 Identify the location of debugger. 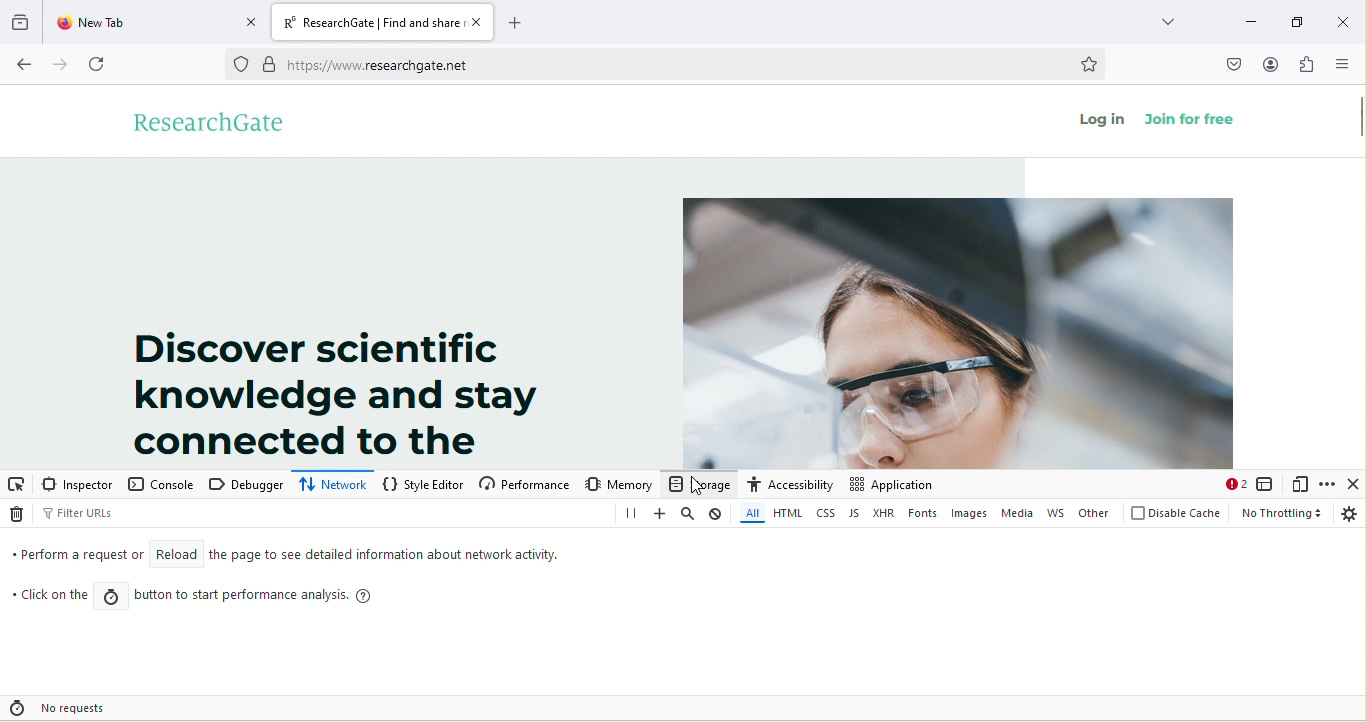
(245, 485).